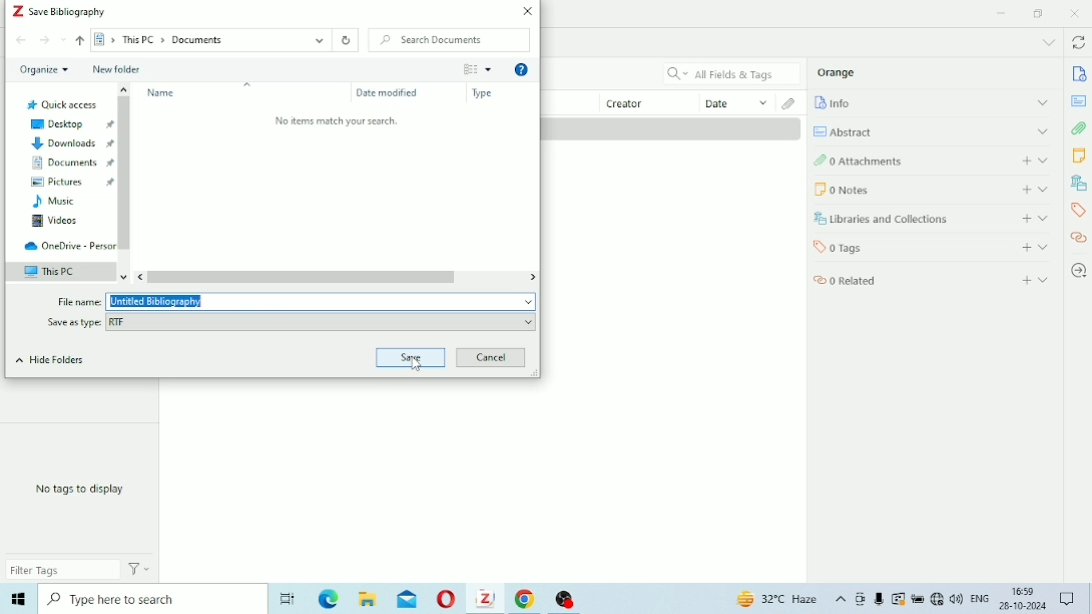  Describe the element at coordinates (1001, 13) in the screenshot. I see `Minimize` at that location.